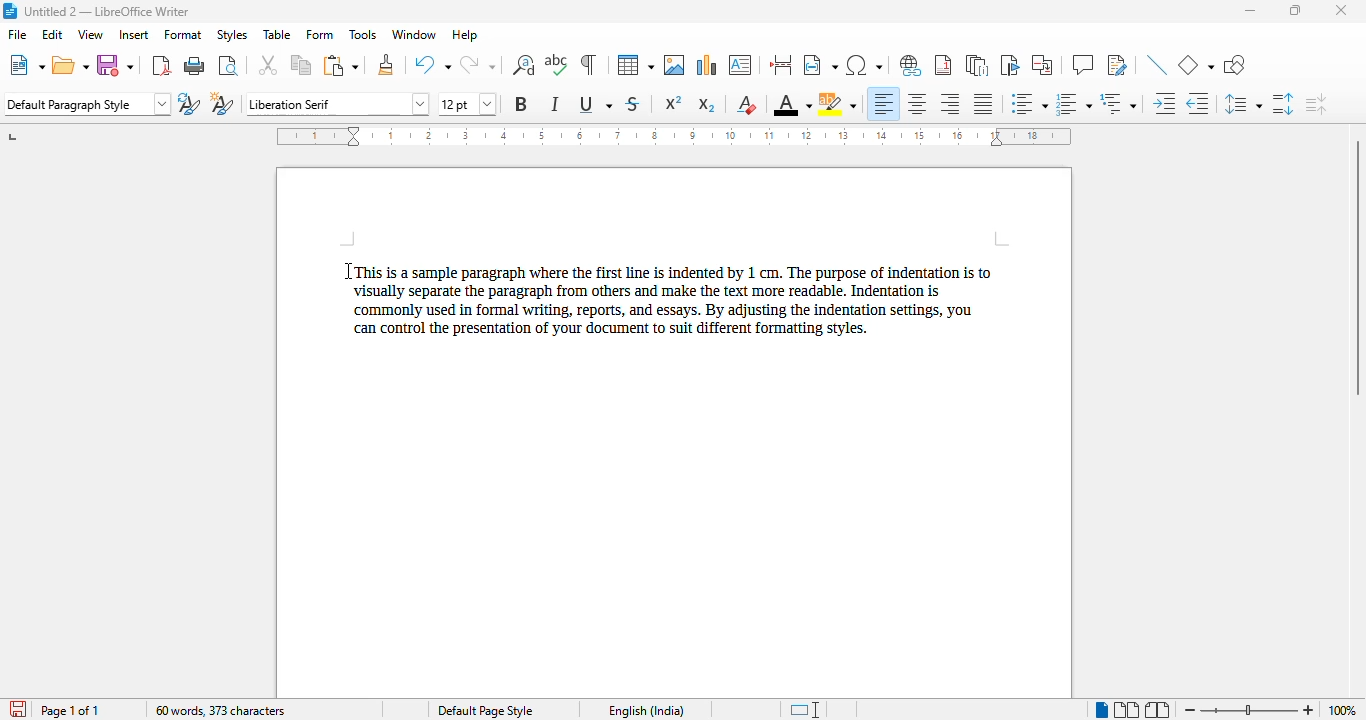 The width and height of the screenshot is (1366, 720). What do you see at coordinates (1126, 709) in the screenshot?
I see `multi-page view` at bounding box center [1126, 709].